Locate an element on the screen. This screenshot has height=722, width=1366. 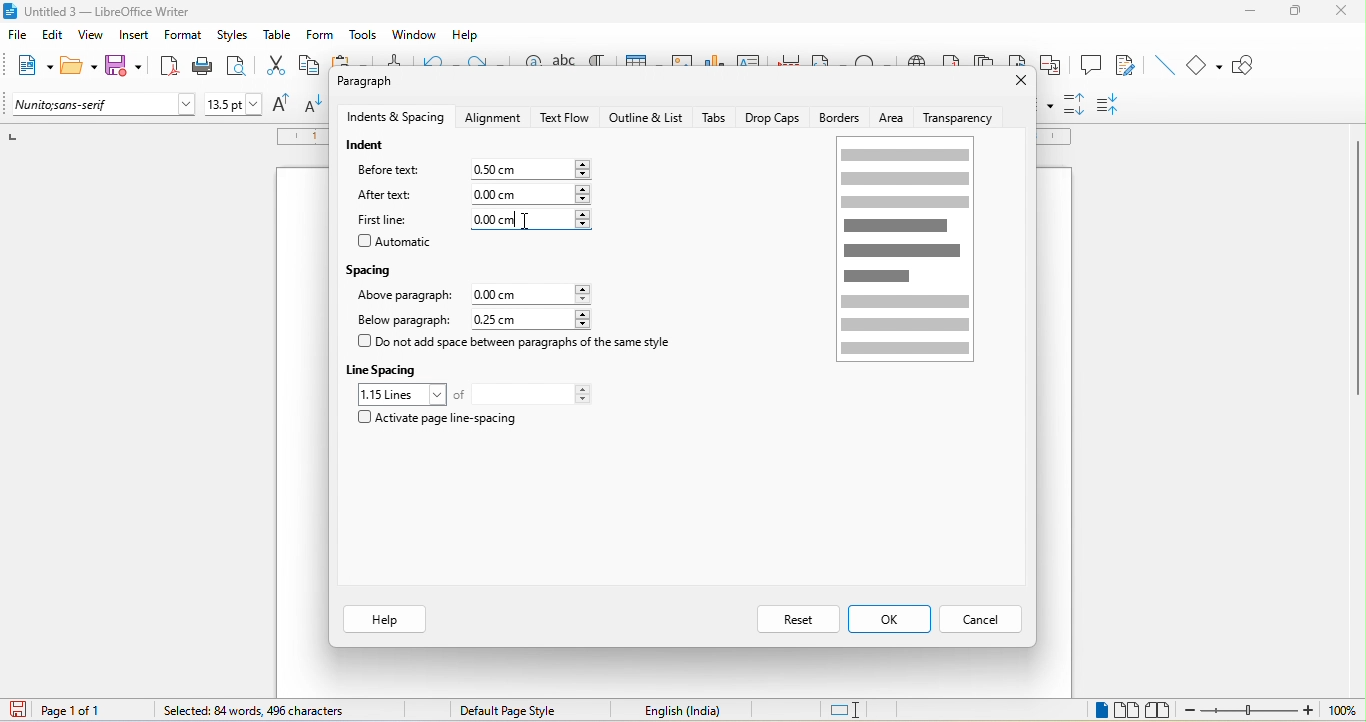
print is located at coordinates (203, 67).